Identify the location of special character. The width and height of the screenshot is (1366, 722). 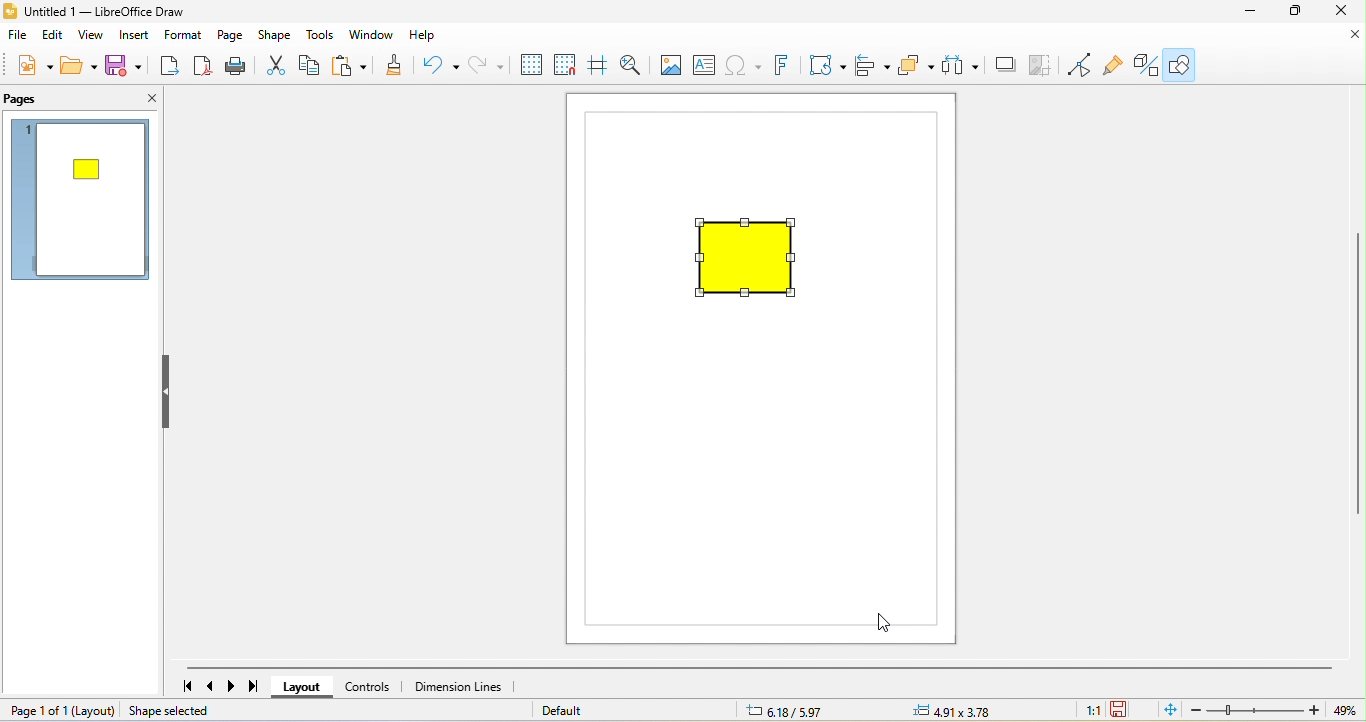
(742, 67).